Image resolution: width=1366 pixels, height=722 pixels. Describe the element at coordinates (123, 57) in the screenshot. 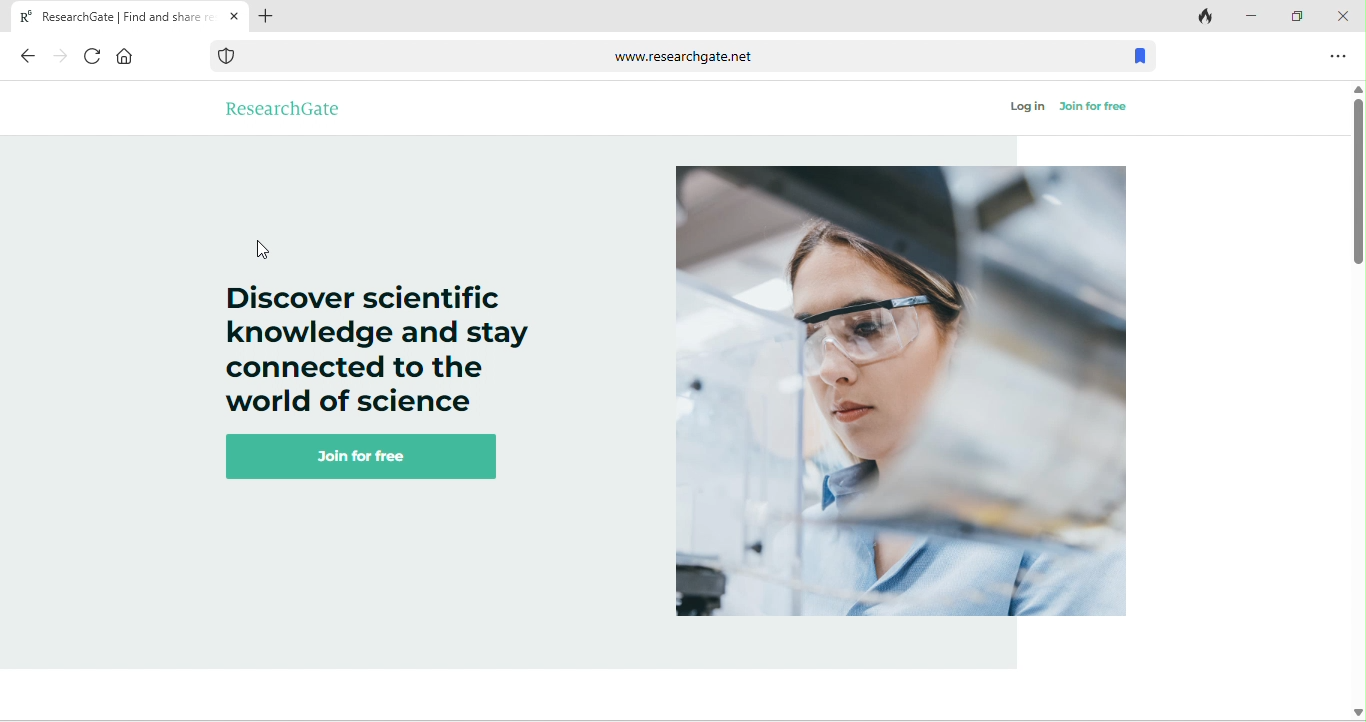

I see `home` at that location.